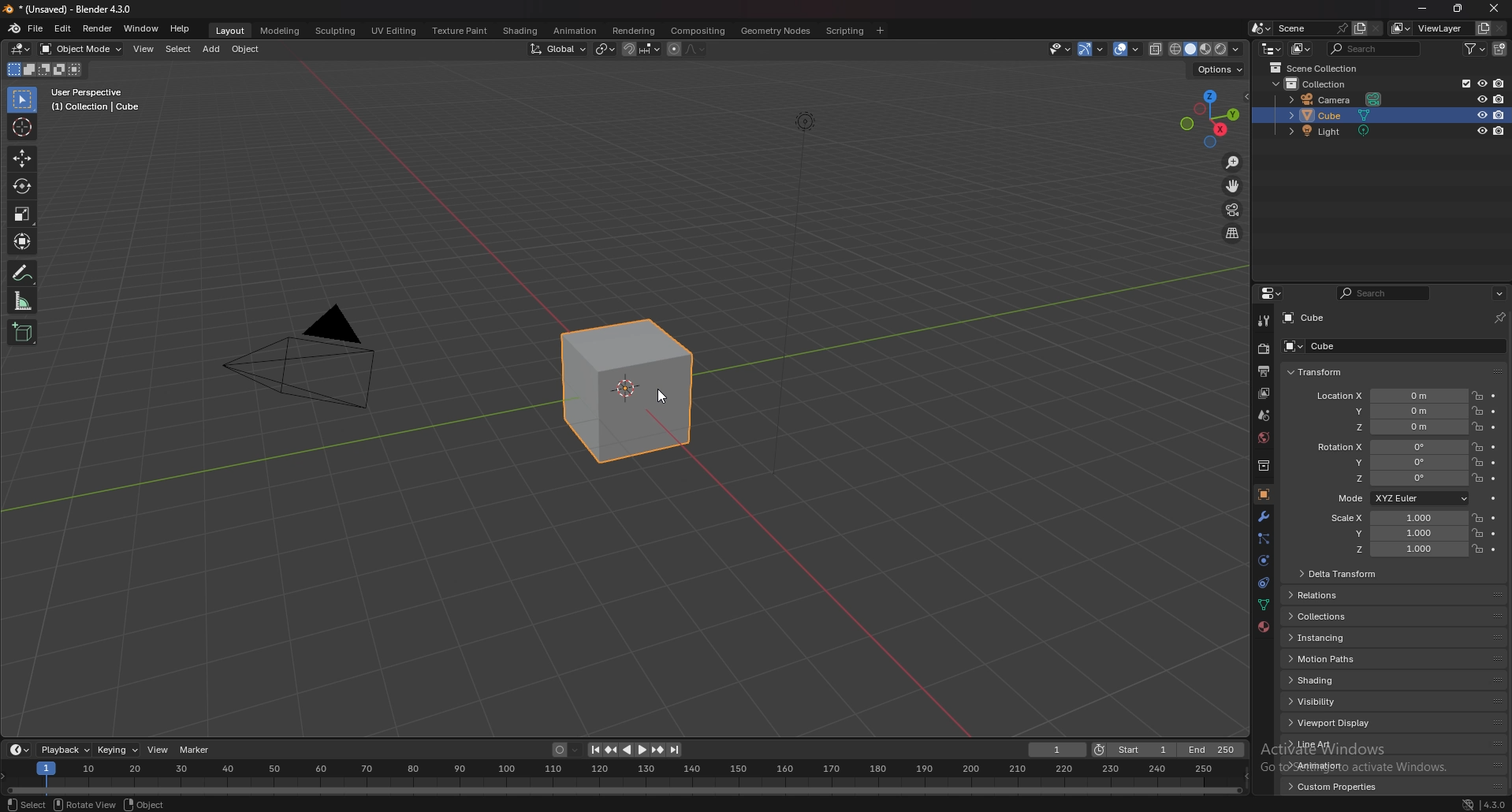 The width and height of the screenshot is (1512, 812). I want to click on close, so click(1492, 9).